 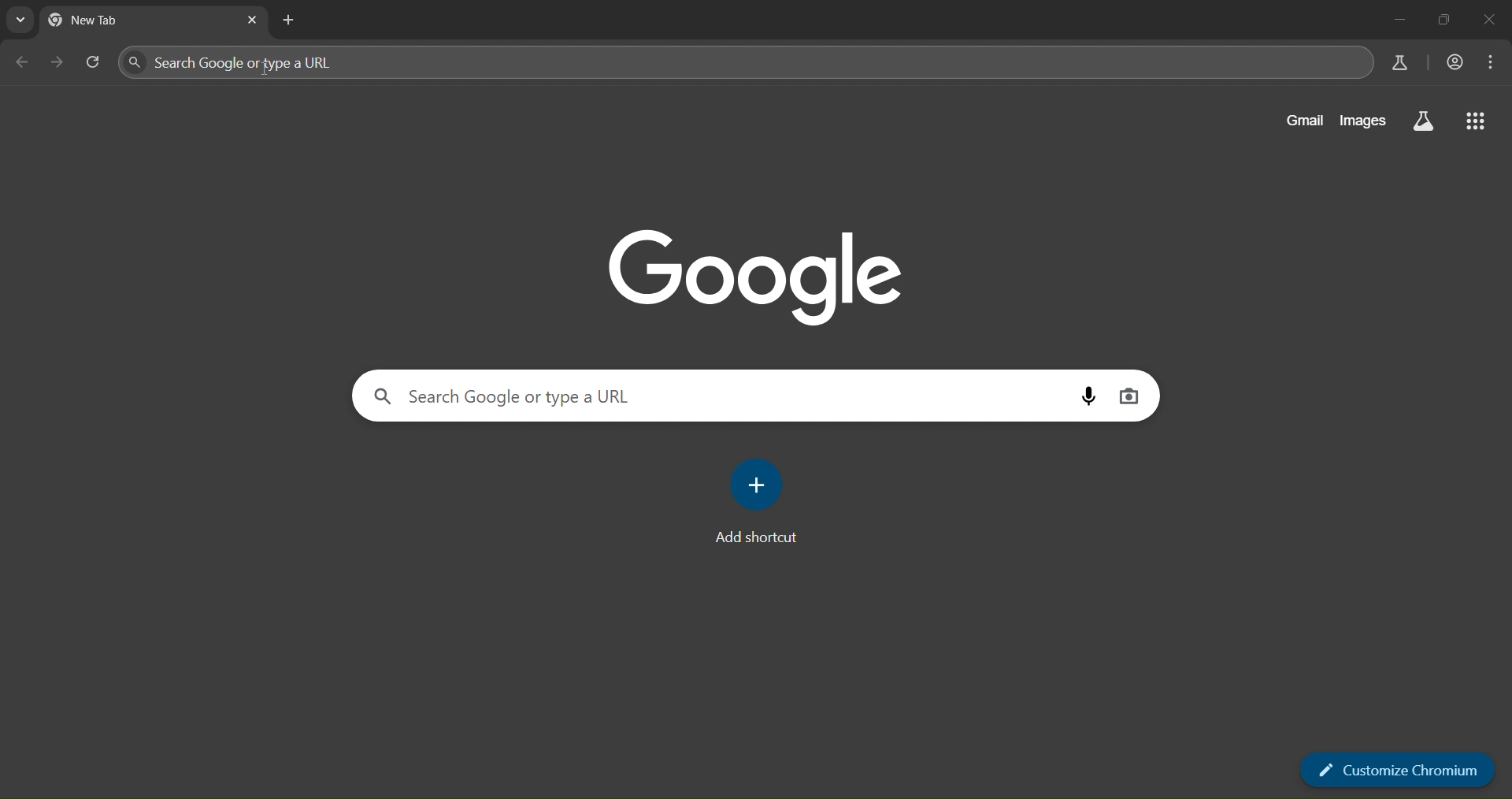 What do you see at coordinates (1088, 394) in the screenshot?
I see `voice search` at bounding box center [1088, 394].